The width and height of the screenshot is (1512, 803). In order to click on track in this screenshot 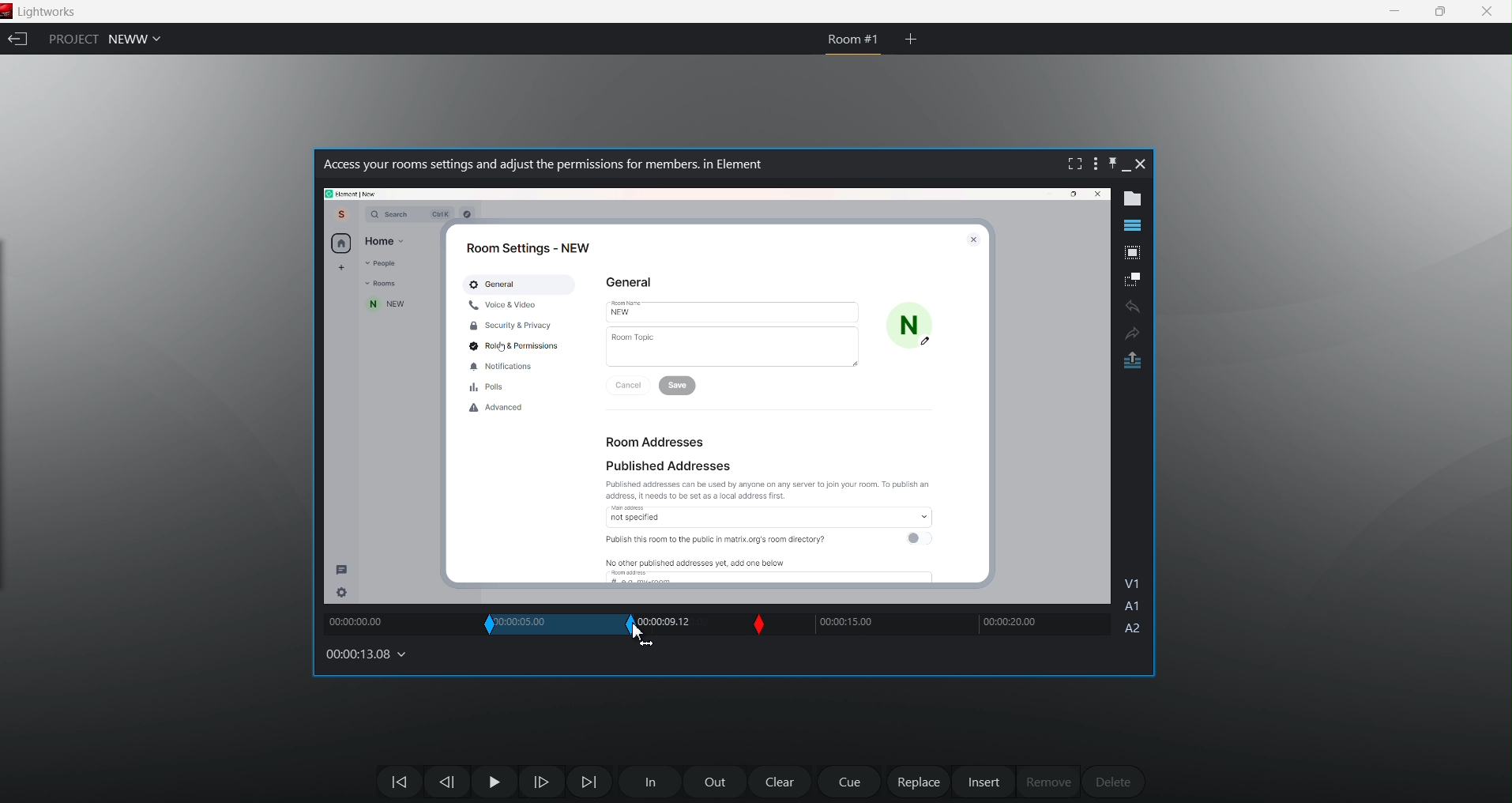, I will do `click(943, 626)`.